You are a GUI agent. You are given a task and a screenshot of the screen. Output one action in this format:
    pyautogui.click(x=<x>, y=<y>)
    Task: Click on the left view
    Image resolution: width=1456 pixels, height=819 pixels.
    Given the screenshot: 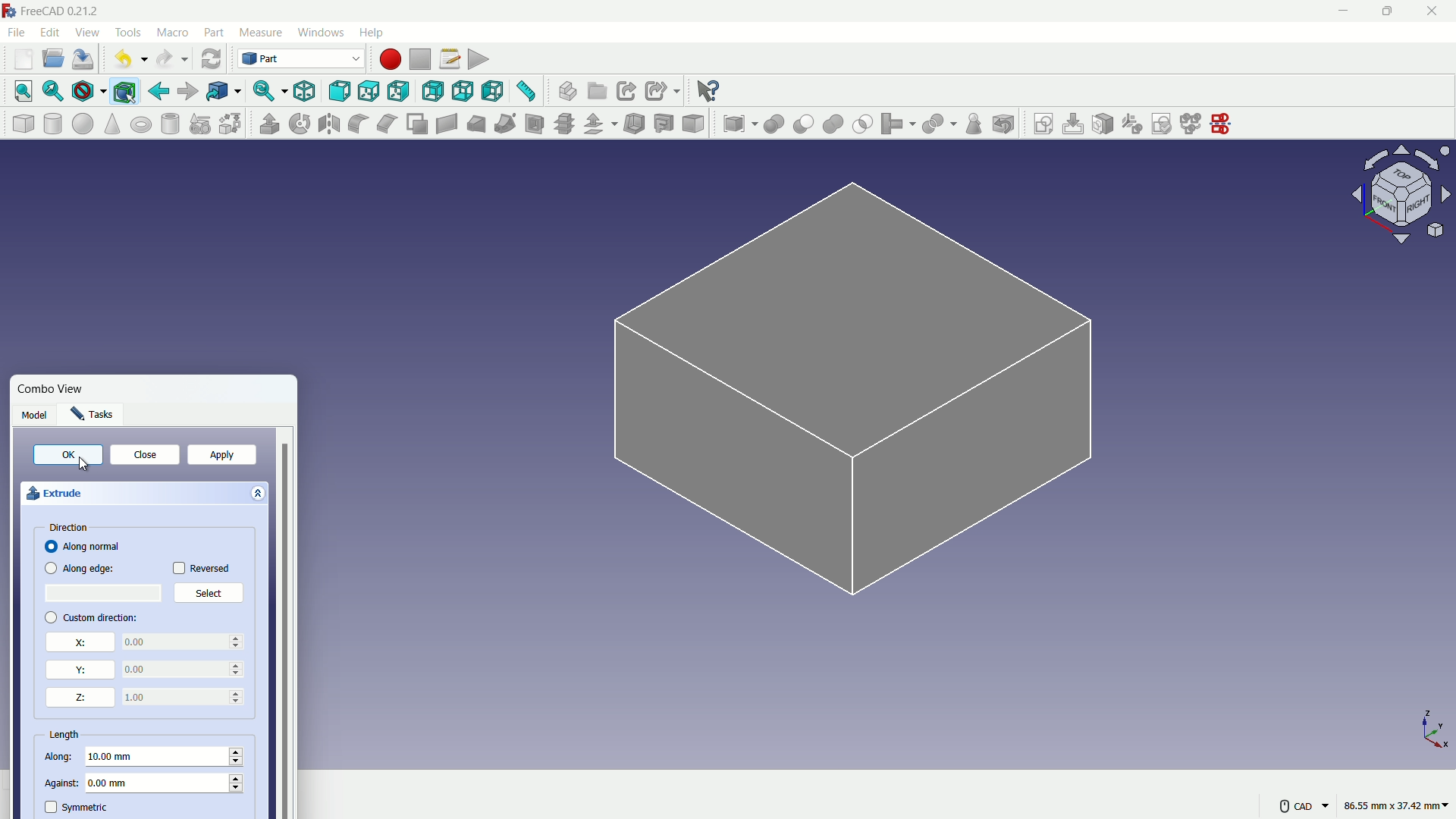 What is the action you would take?
    pyautogui.click(x=492, y=90)
    